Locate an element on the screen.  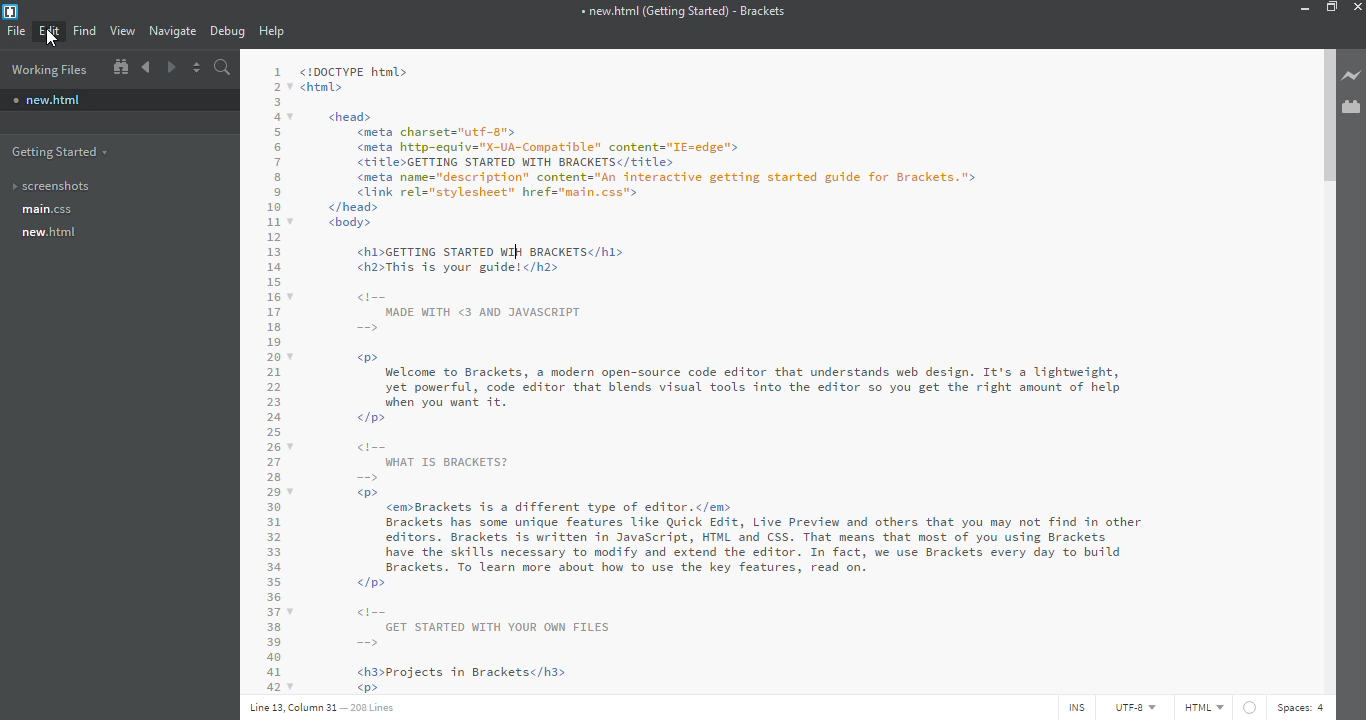
back is located at coordinates (148, 67).